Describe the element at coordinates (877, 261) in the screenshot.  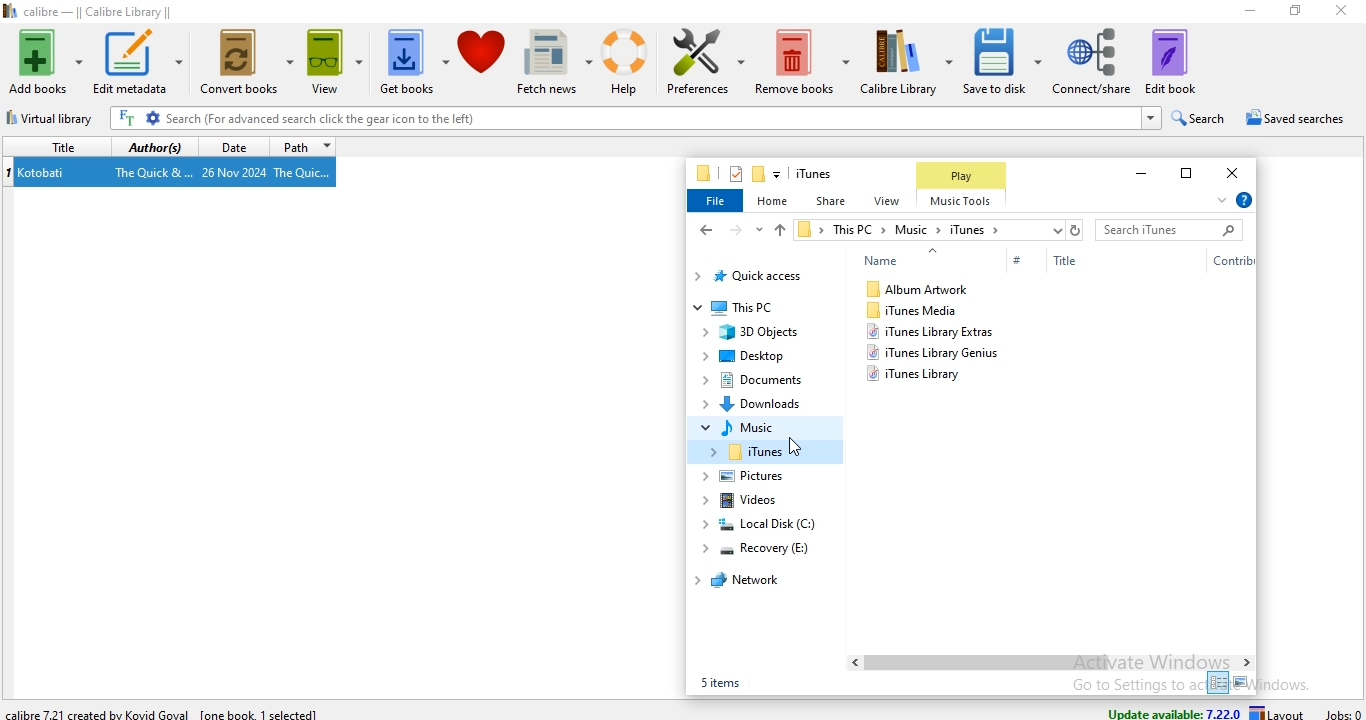
I see `Name` at that location.